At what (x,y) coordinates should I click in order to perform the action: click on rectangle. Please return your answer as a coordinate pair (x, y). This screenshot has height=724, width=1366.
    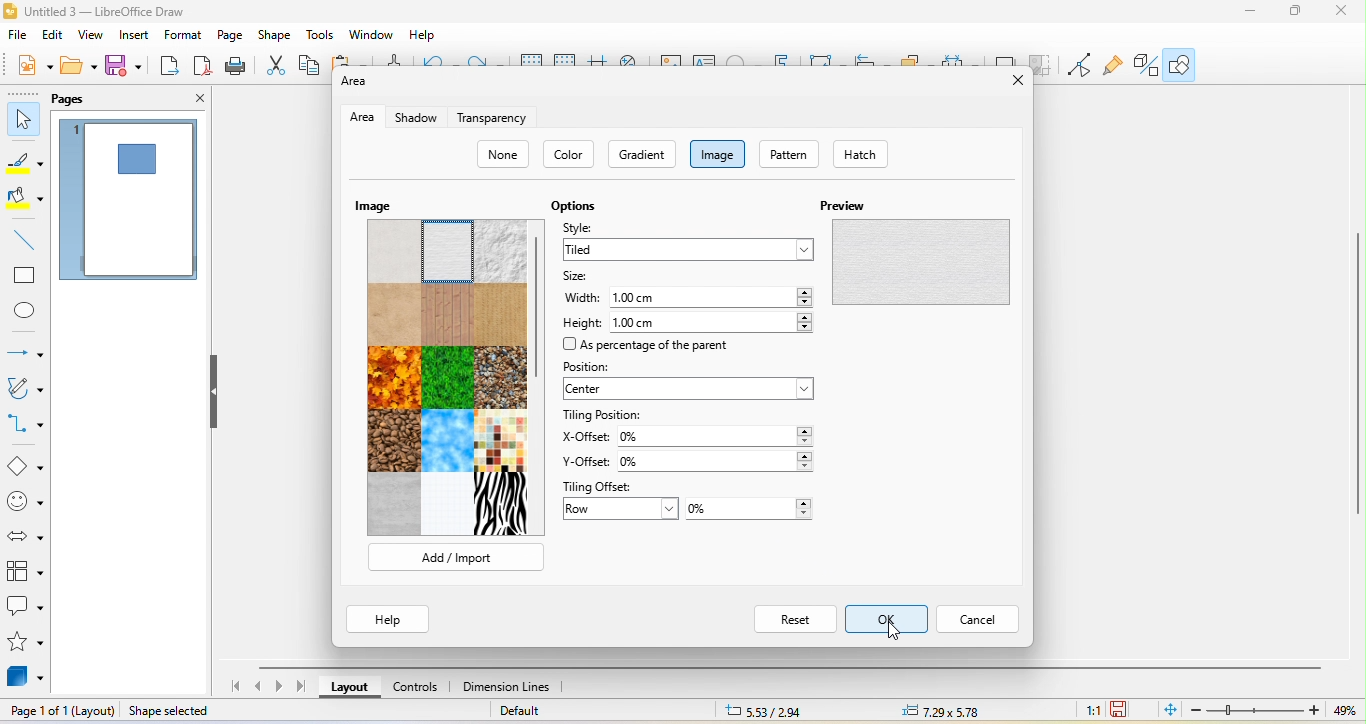
    Looking at the image, I should click on (22, 276).